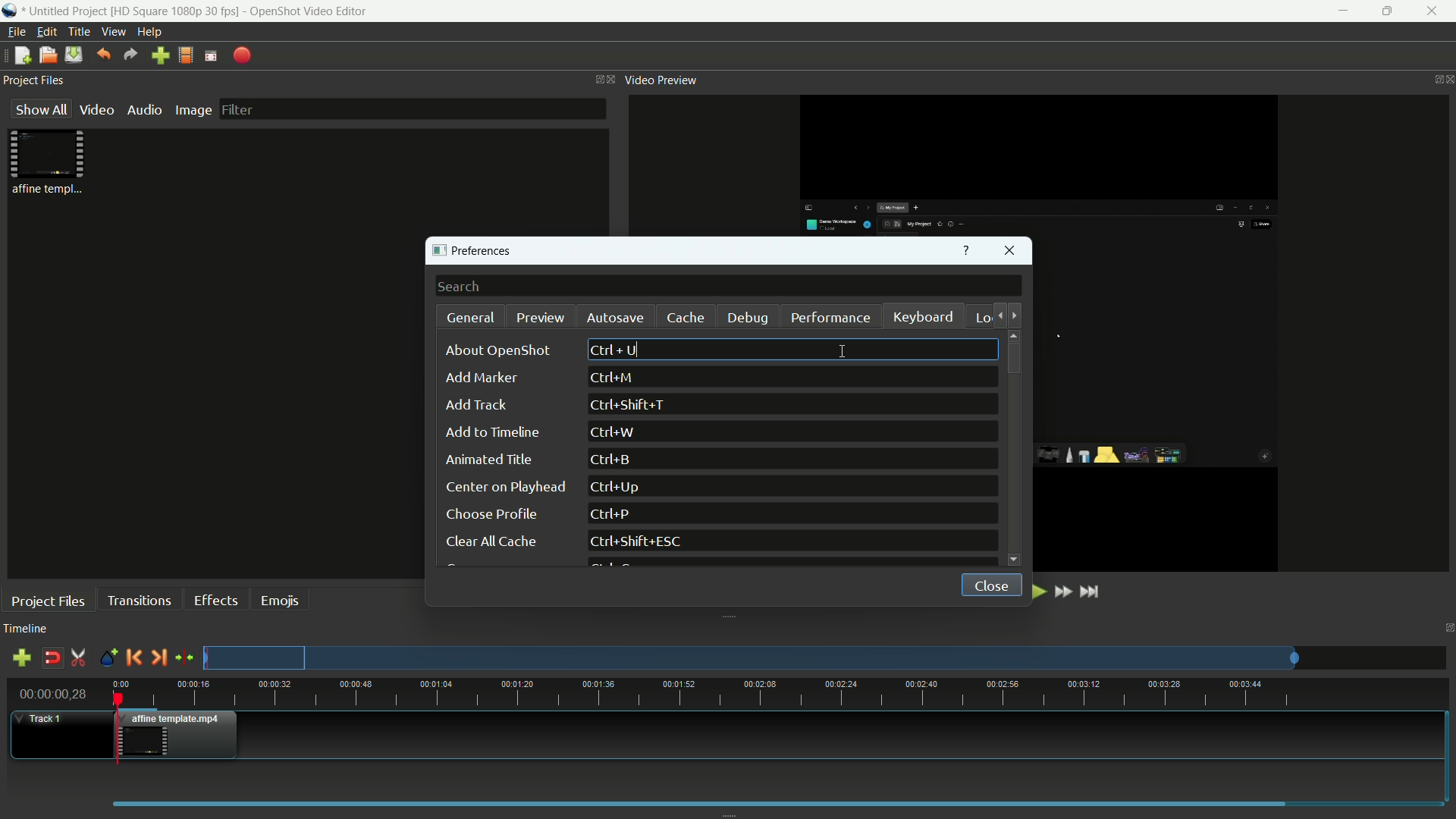  Describe the element at coordinates (193, 110) in the screenshot. I see `image` at that location.